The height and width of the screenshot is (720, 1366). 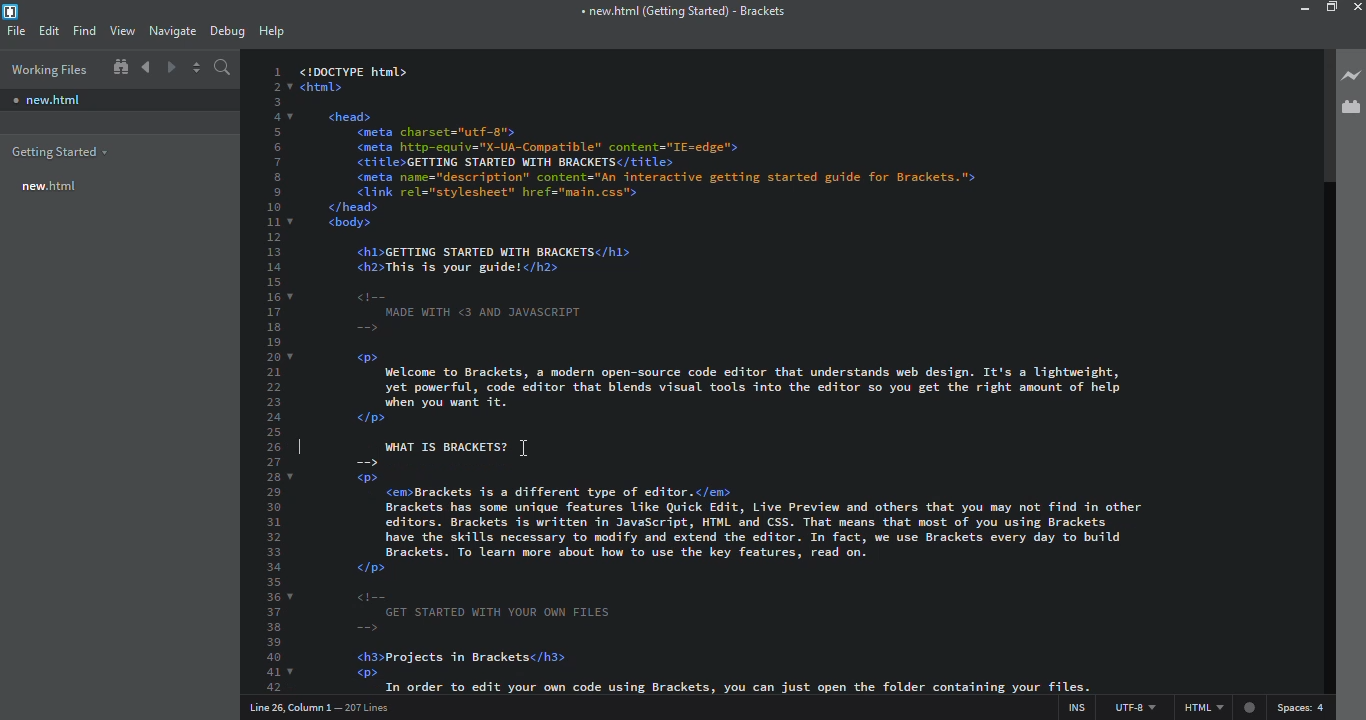 What do you see at coordinates (1300, 9) in the screenshot?
I see `minimize` at bounding box center [1300, 9].